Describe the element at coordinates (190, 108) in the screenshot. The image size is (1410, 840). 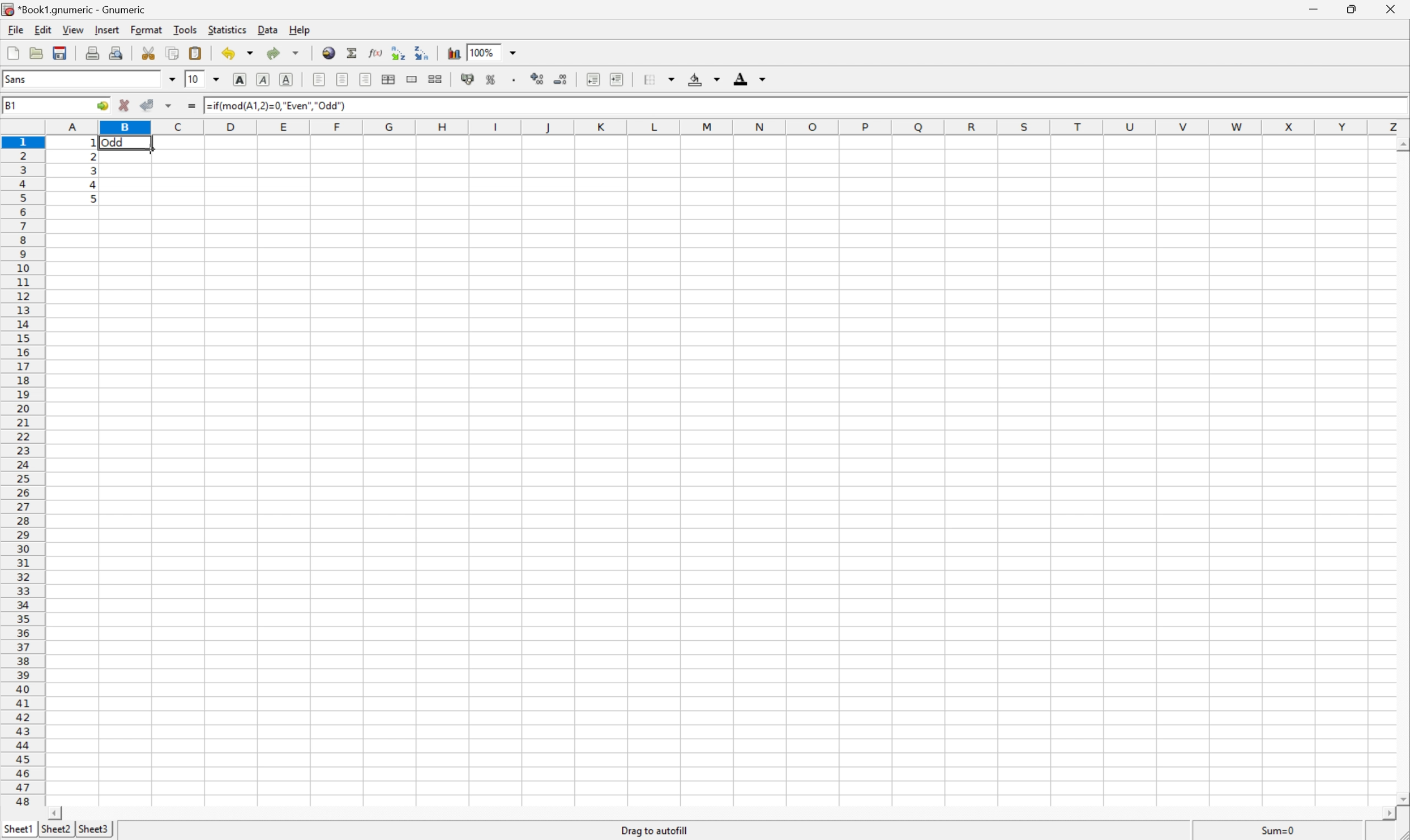
I see `Enter formula` at that location.